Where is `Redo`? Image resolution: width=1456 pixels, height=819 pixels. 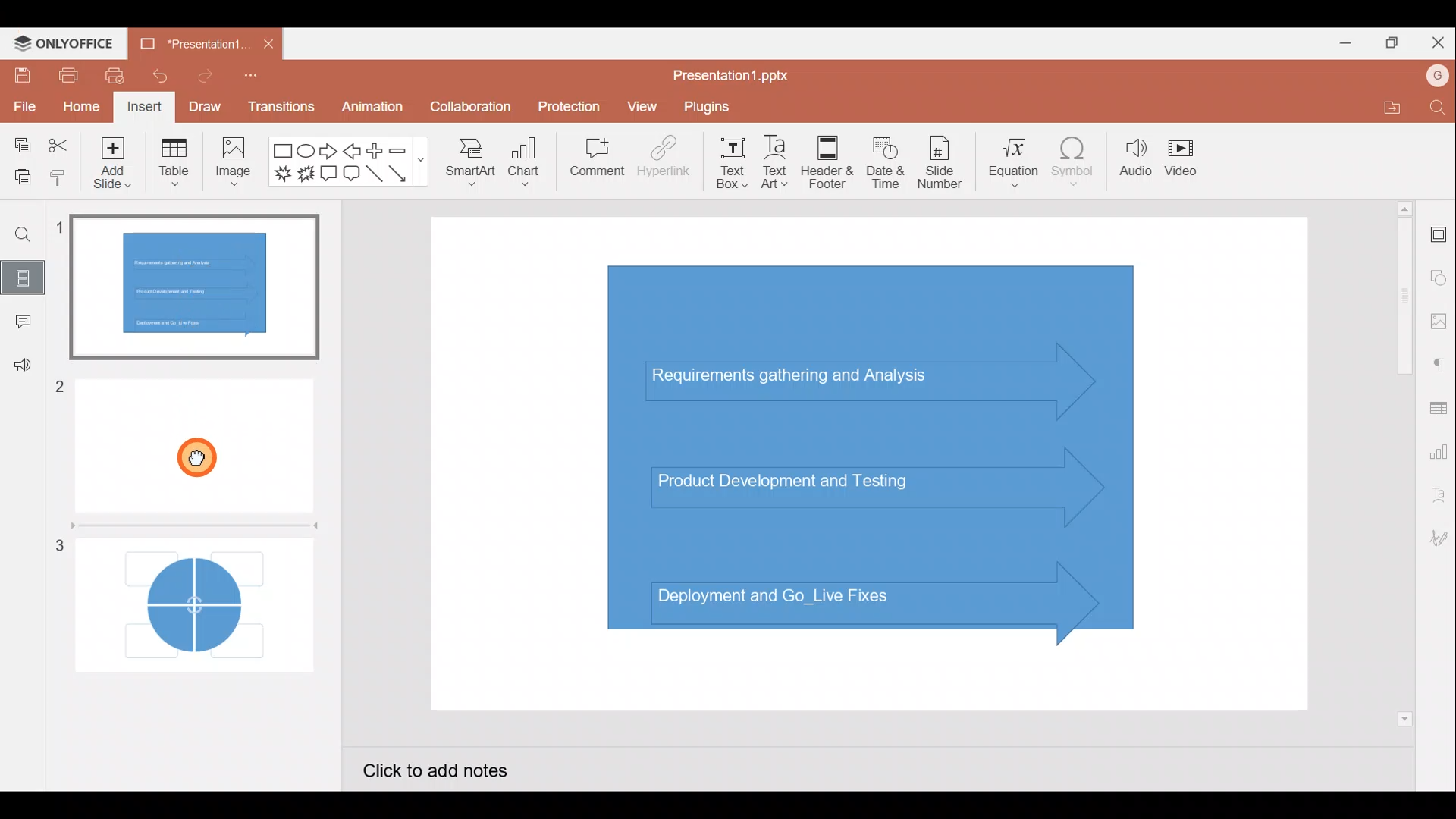 Redo is located at coordinates (201, 80).